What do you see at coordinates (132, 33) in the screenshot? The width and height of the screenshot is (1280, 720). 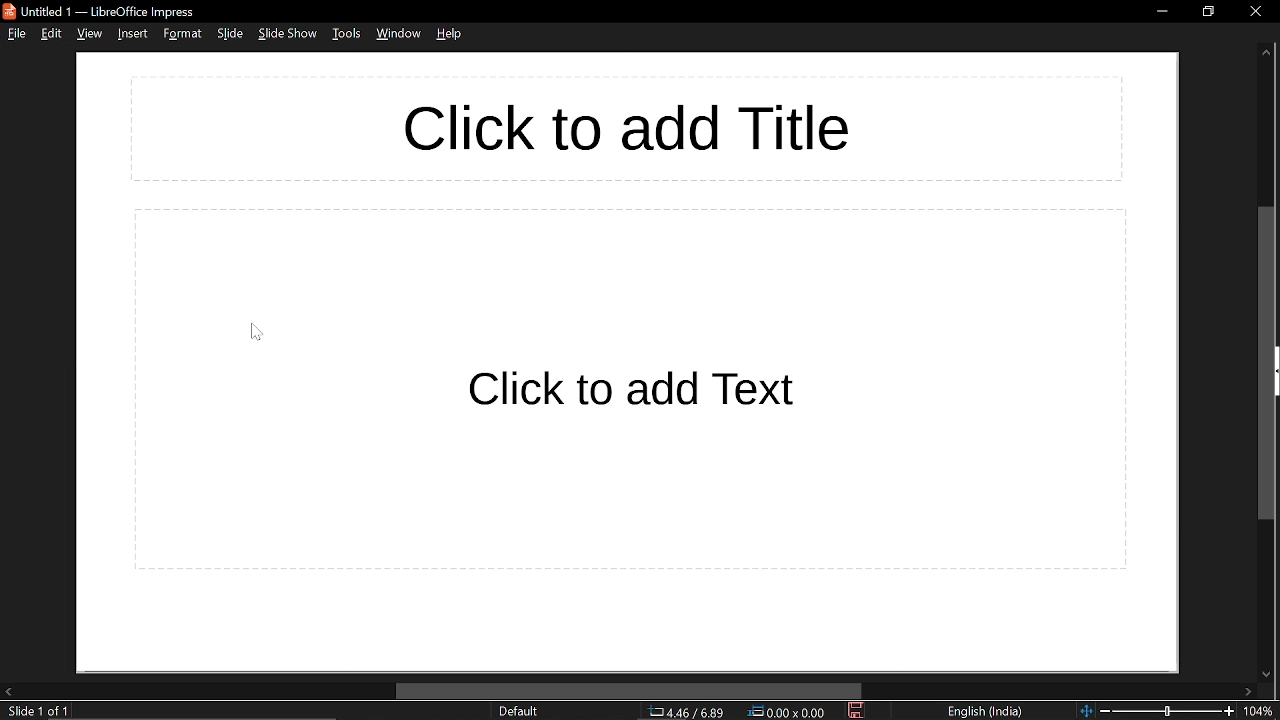 I see `insert` at bounding box center [132, 33].